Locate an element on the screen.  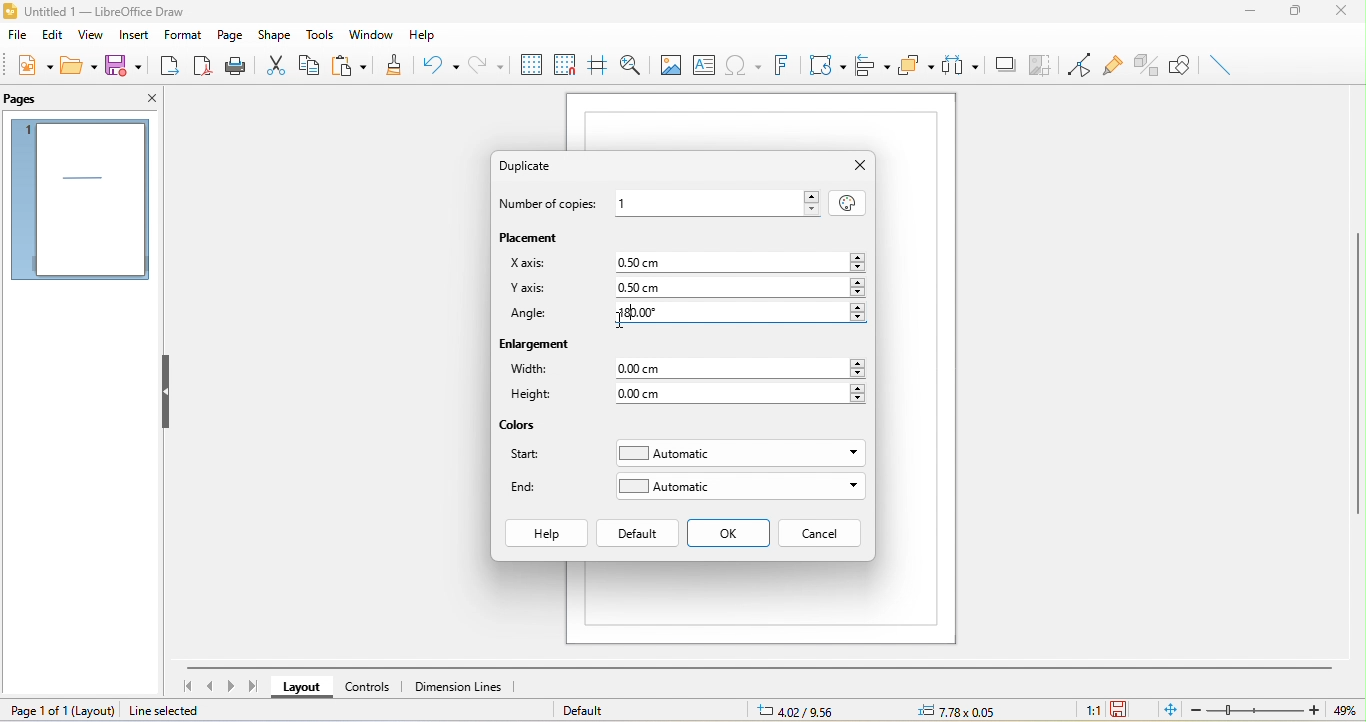
fit to the current window is located at coordinates (1165, 711).